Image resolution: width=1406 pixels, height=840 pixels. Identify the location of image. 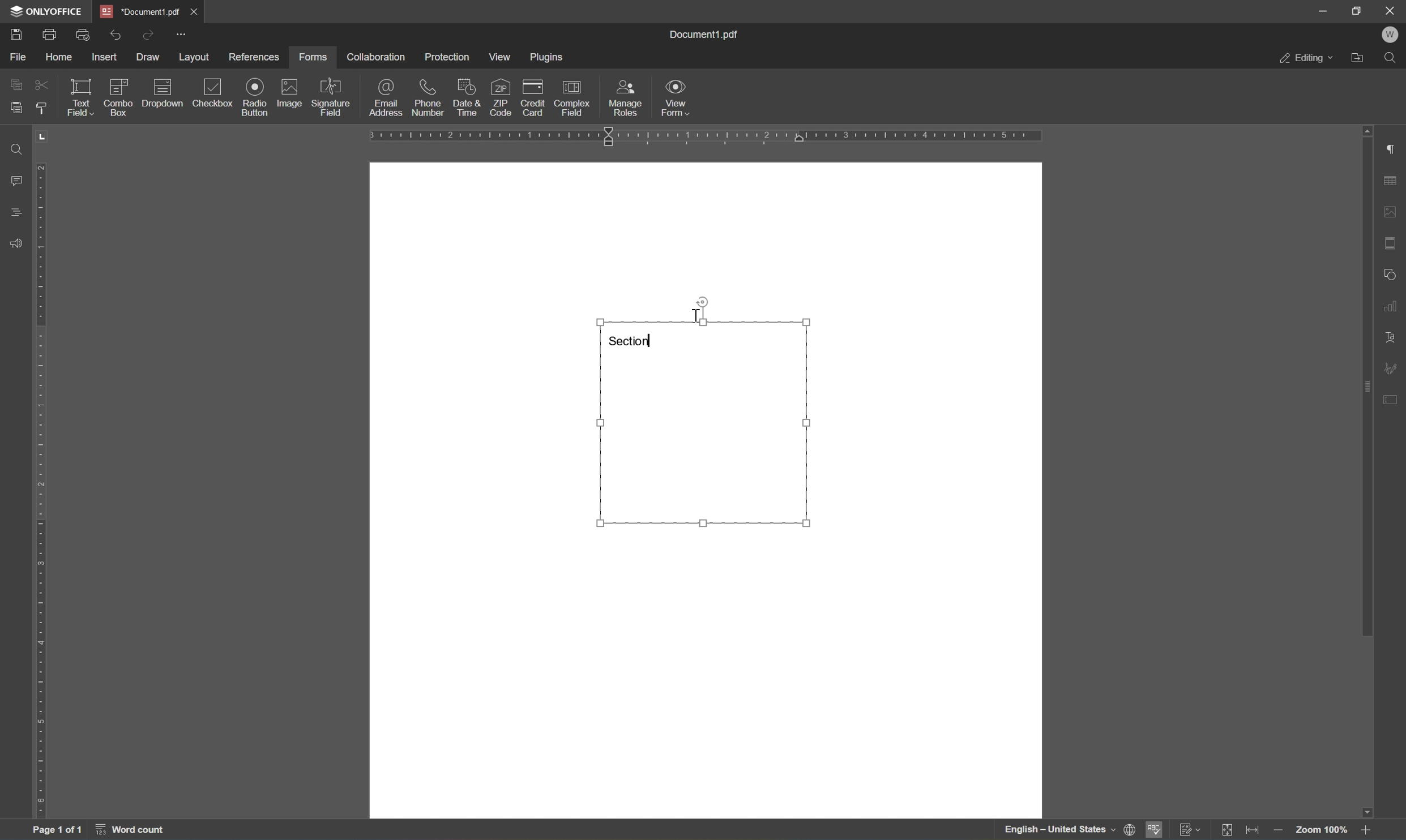
(290, 93).